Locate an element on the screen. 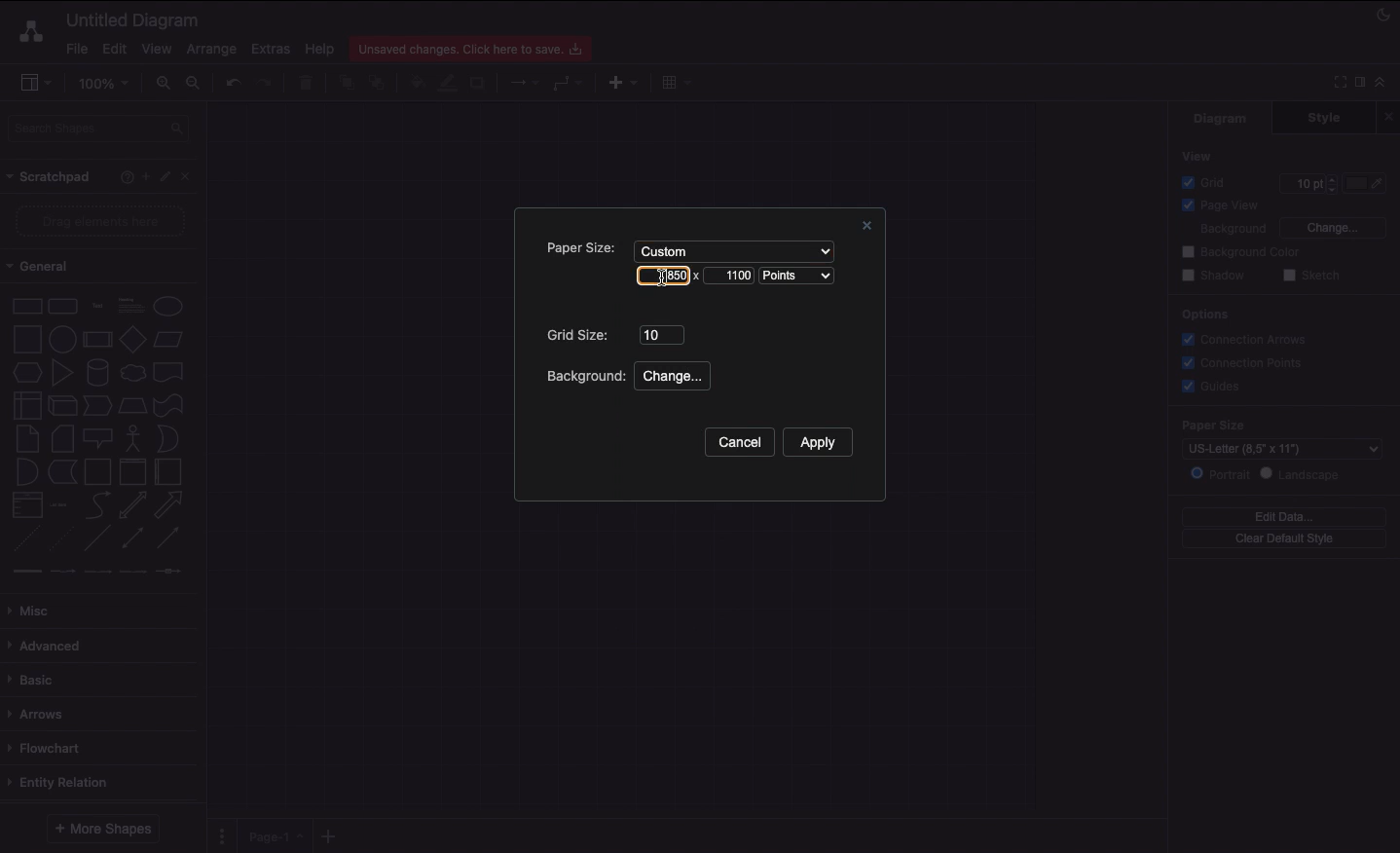  Dotted line is located at coordinates (61, 540).